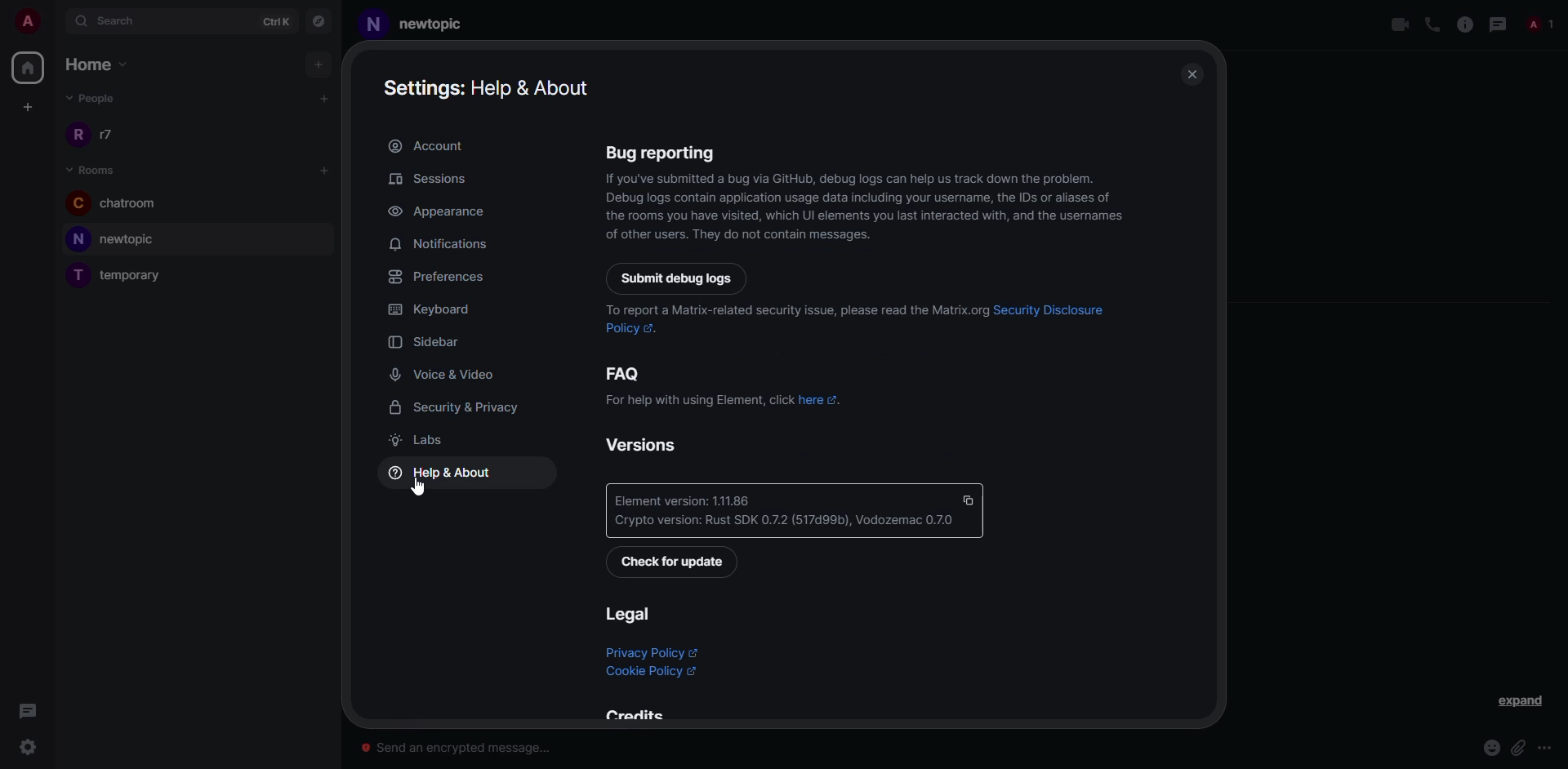  Describe the element at coordinates (1498, 24) in the screenshot. I see `threads` at that location.